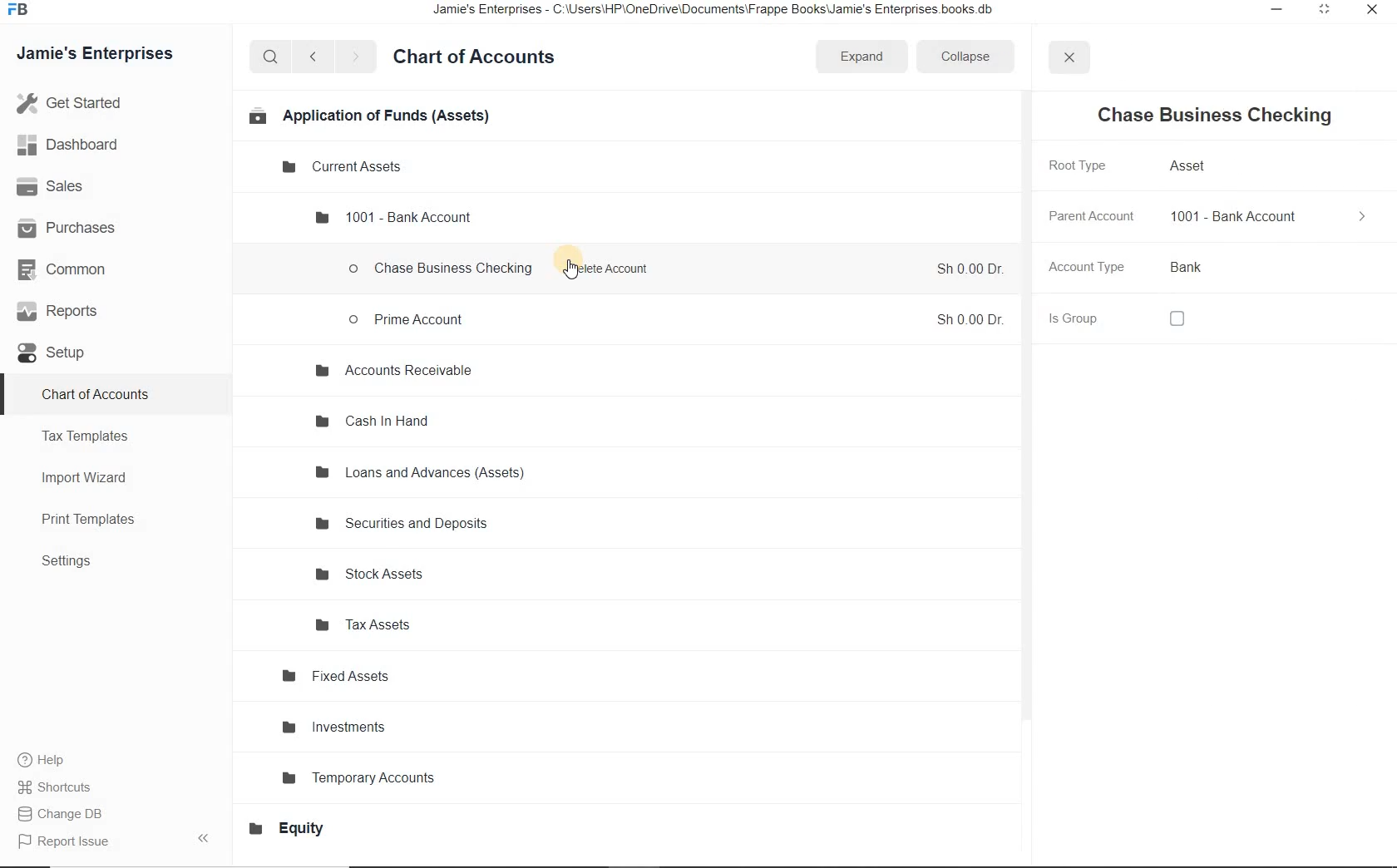 The image size is (1397, 868). What do you see at coordinates (374, 624) in the screenshot?
I see `Tax Assets` at bounding box center [374, 624].